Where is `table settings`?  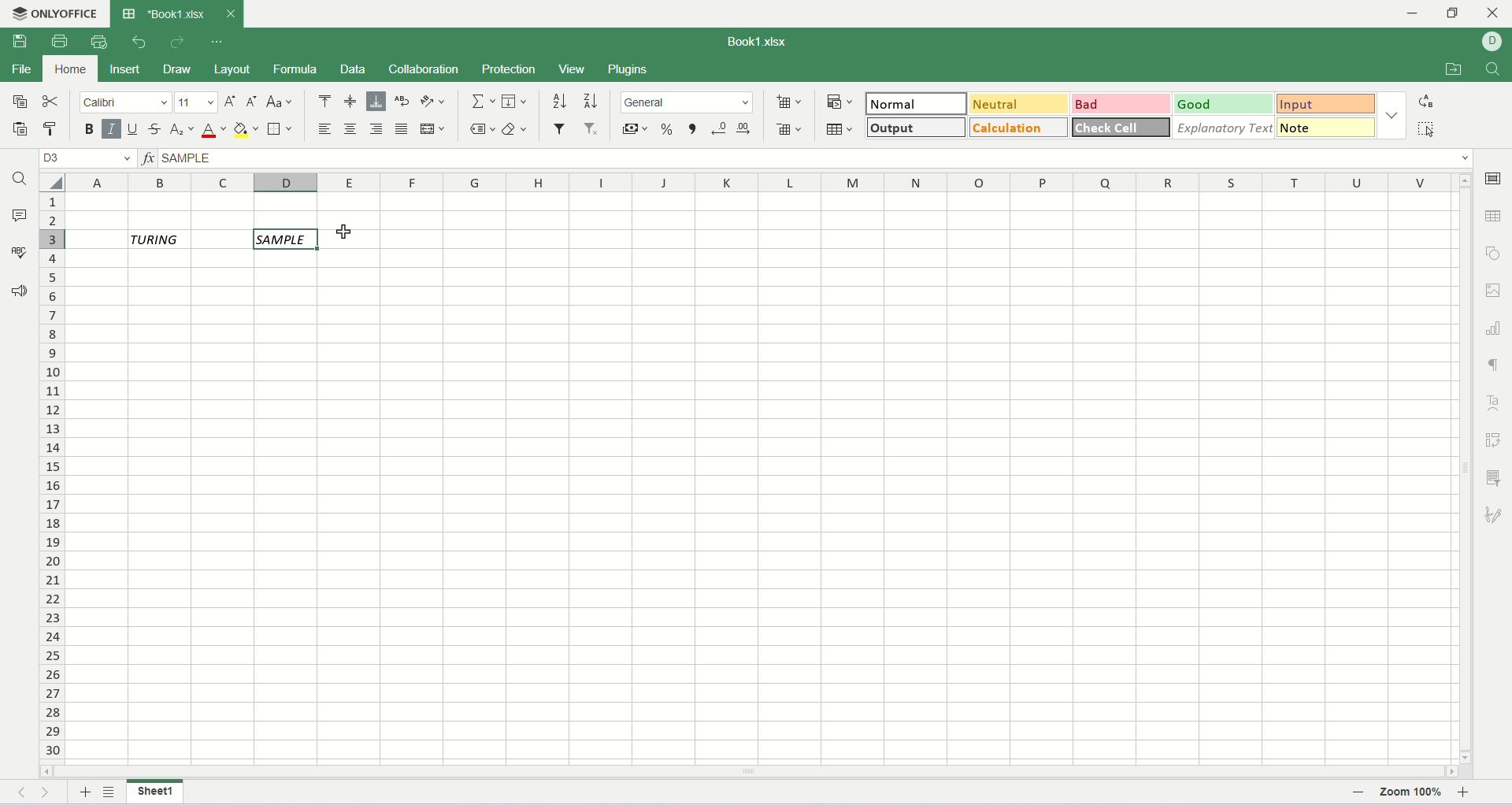
table settings is located at coordinates (1495, 217).